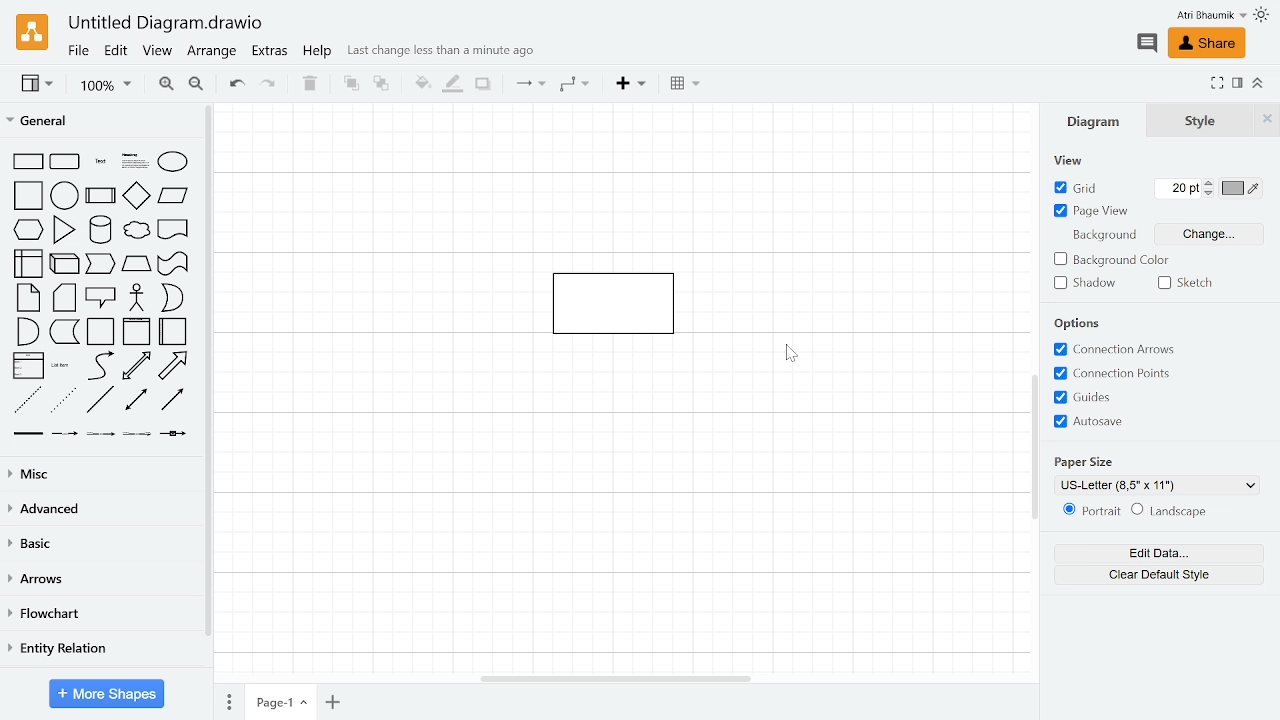 This screenshot has width=1280, height=720. I want to click on cursor, so click(79, 63).